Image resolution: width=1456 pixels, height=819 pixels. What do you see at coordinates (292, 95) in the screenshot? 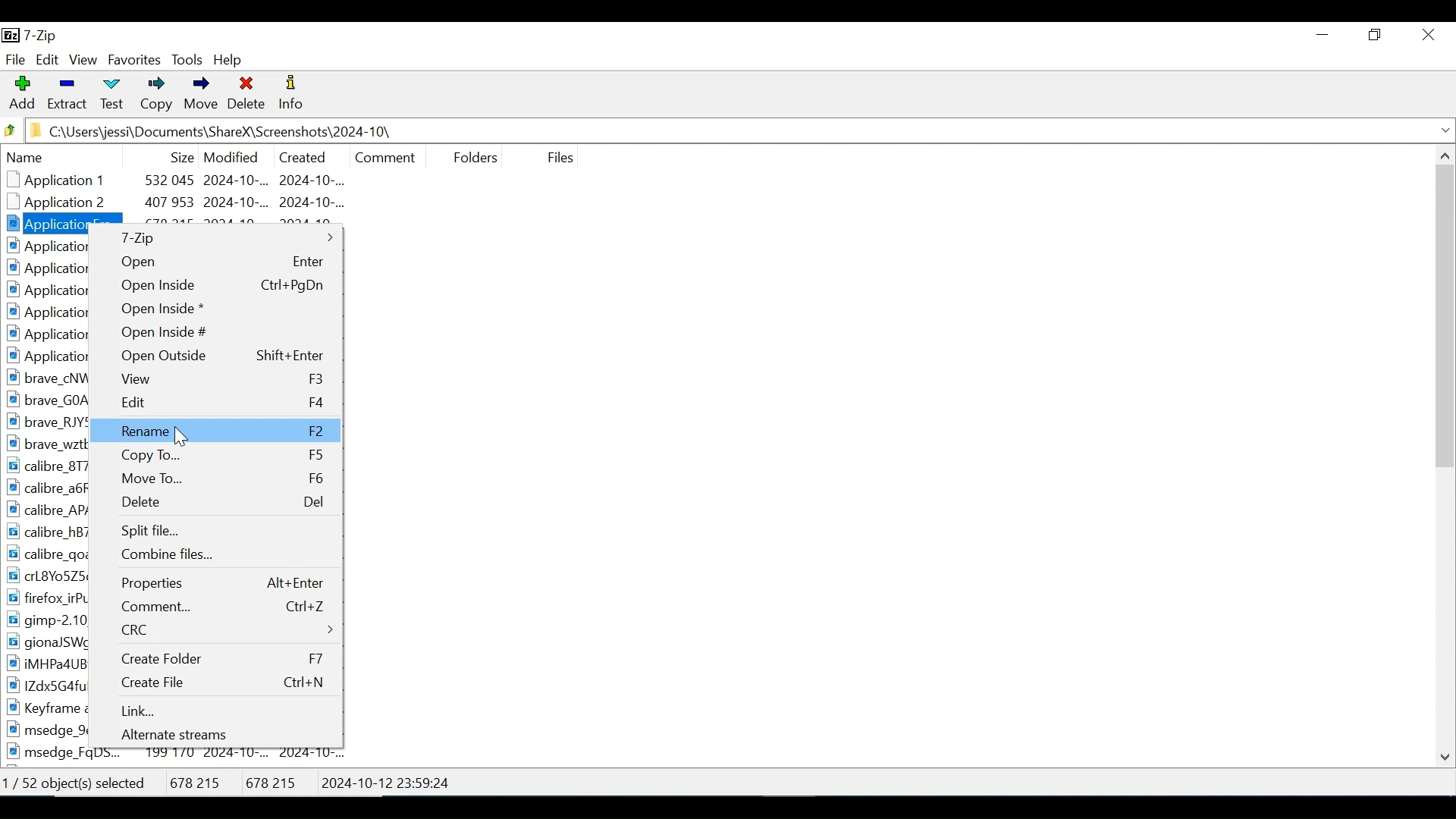
I see `Information` at bounding box center [292, 95].